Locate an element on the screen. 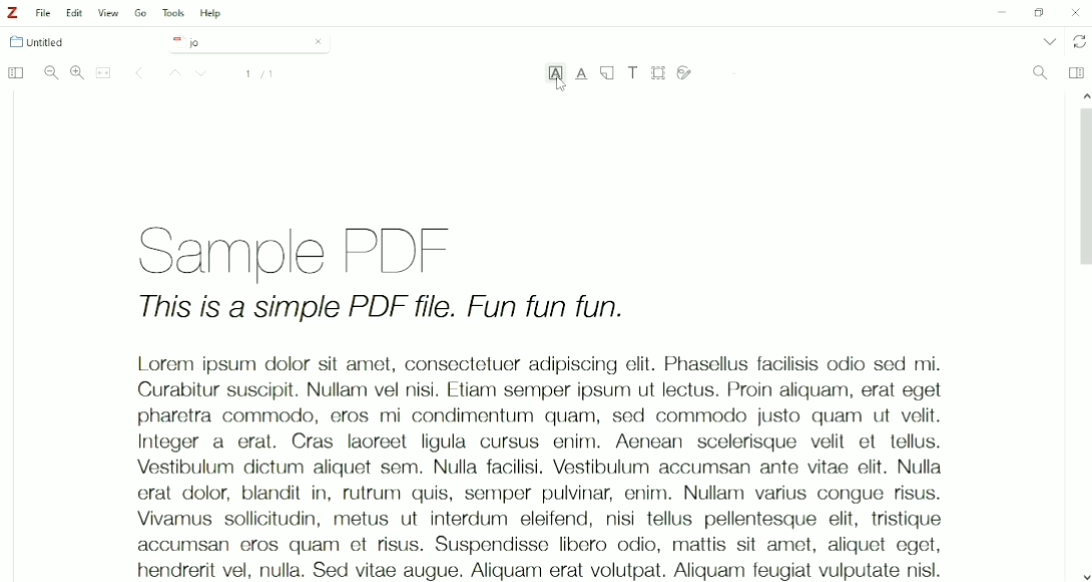 The height and width of the screenshot is (582, 1092). Sync is located at coordinates (1080, 42).